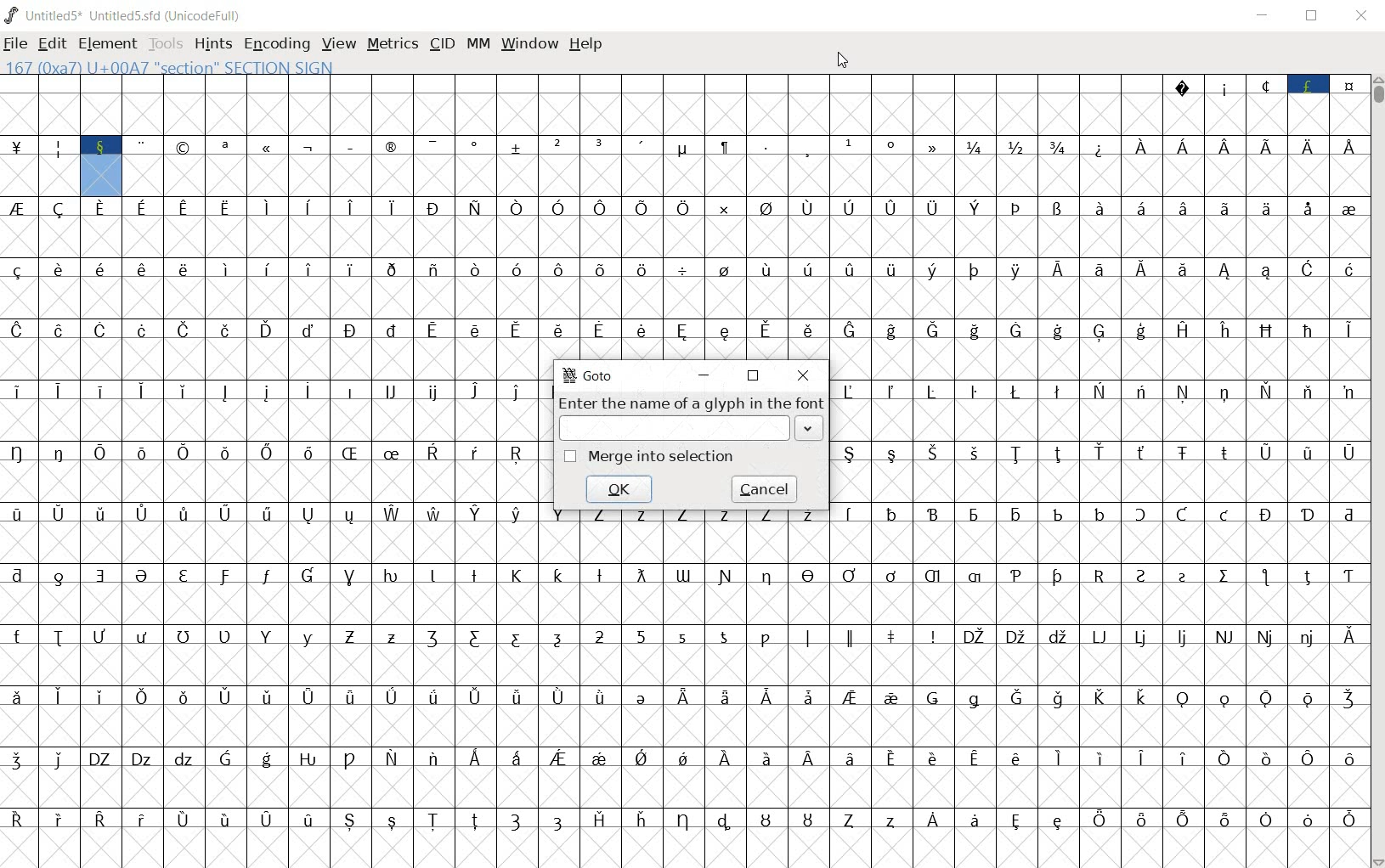 Image resolution: width=1385 pixels, height=868 pixels. Describe the element at coordinates (337, 42) in the screenshot. I see `view` at that location.